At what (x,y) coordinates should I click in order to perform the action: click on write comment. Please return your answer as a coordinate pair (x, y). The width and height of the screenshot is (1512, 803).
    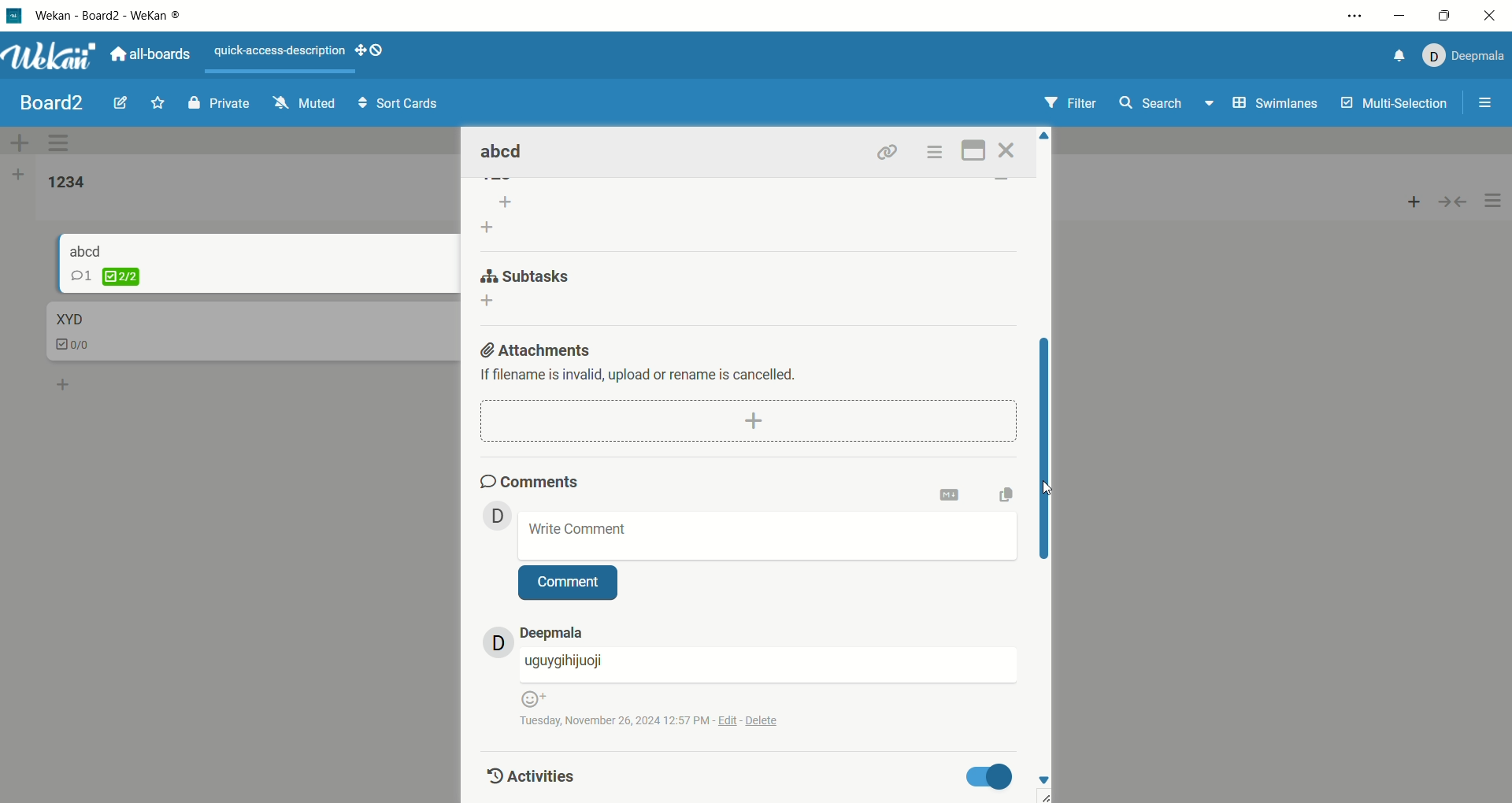
    Looking at the image, I should click on (769, 535).